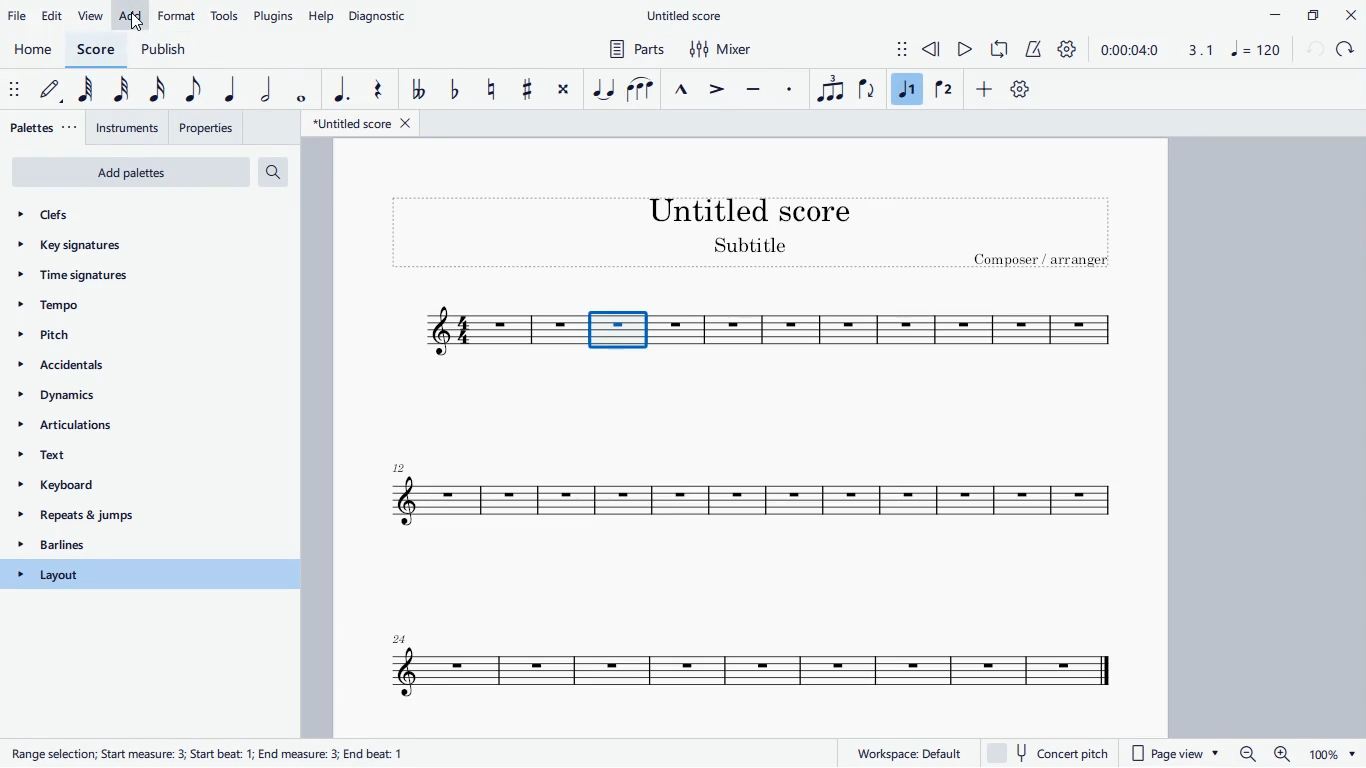 Image resolution: width=1366 pixels, height=768 pixels. What do you see at coordinates (338, 89) in the screenshot?
I see `augmentation dot` at bounding box center [338, 89].